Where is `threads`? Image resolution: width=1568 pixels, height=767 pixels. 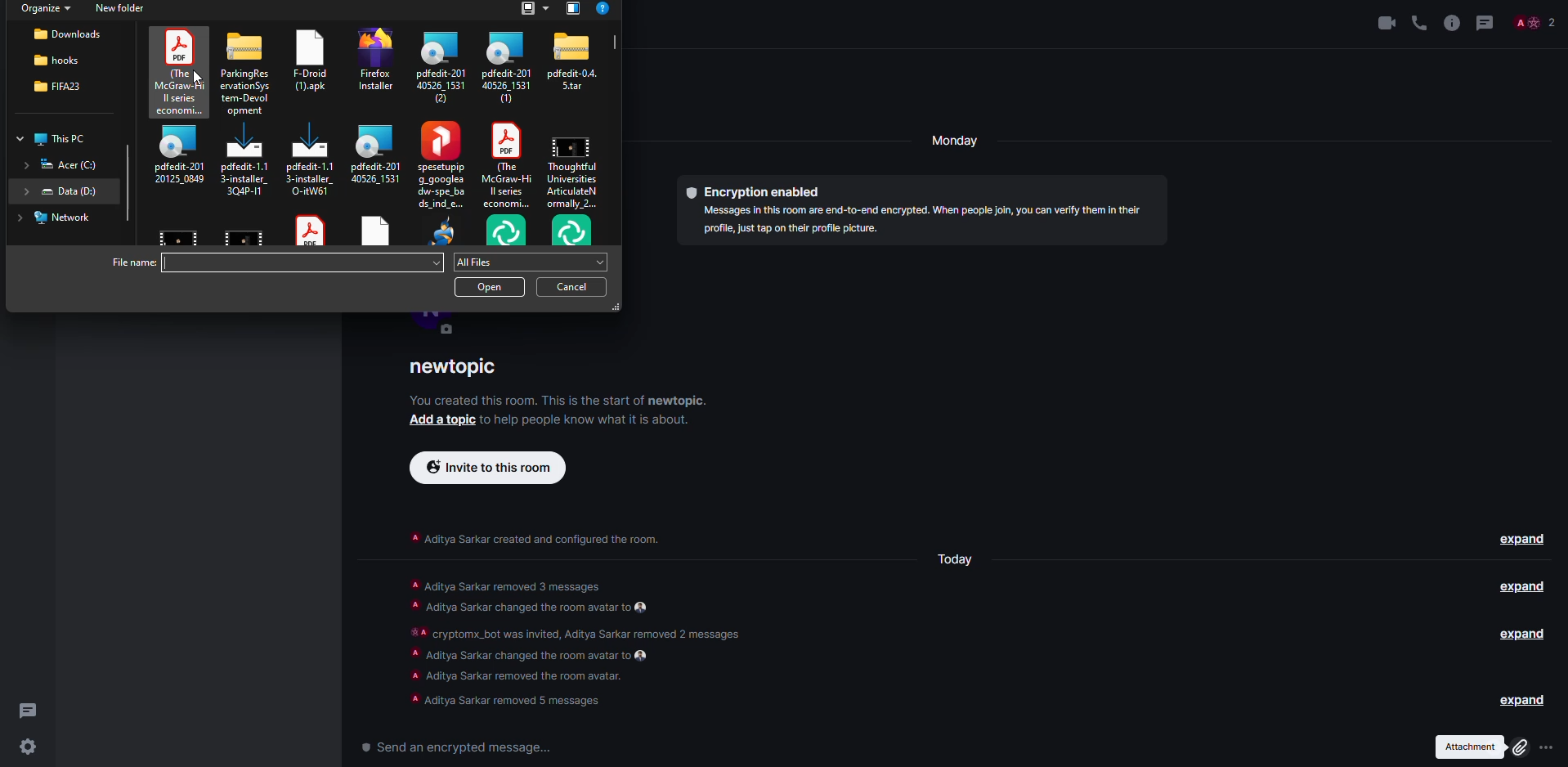
threads is located at coordinates (1488, 22).